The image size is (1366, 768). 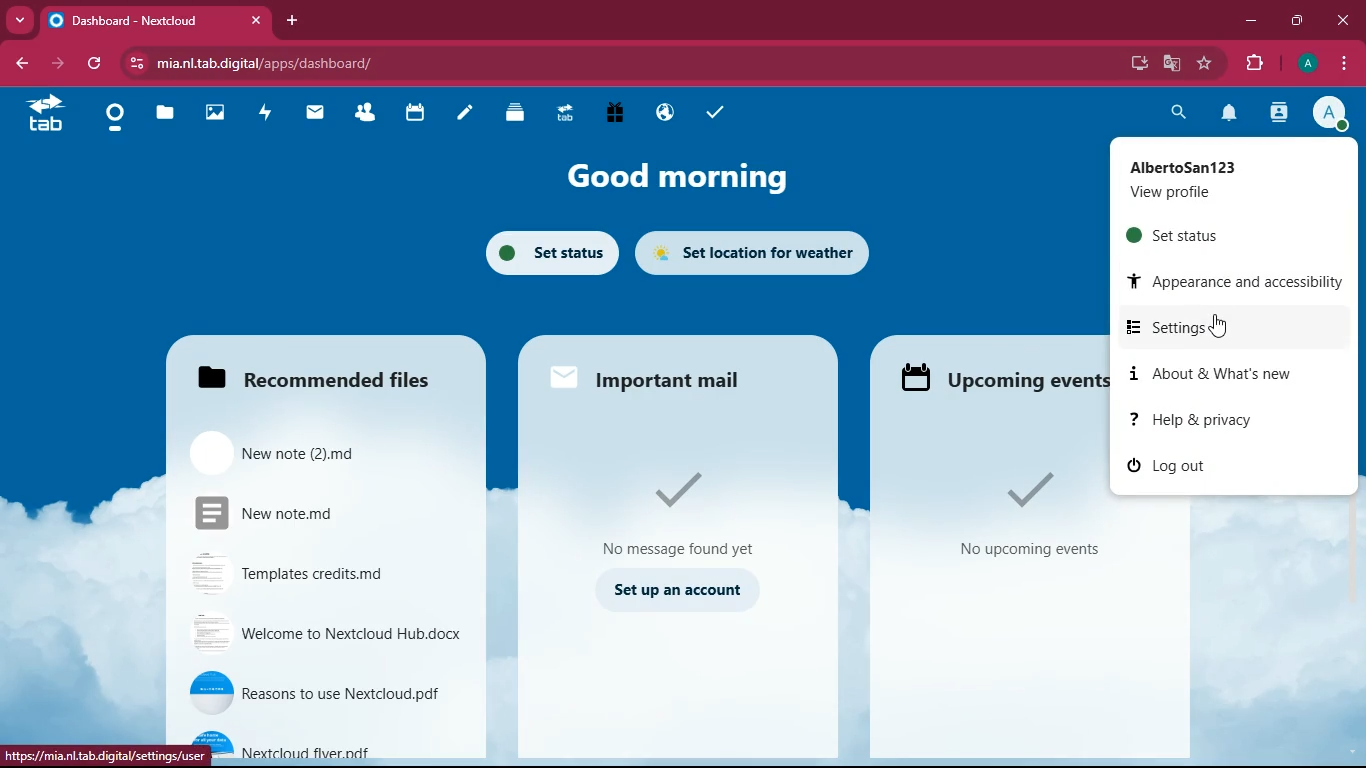 What do you see at coordinates (1208, 179) in the screenshot?
I see `AlbertoSan 123` at bounding box center [1208, 179].